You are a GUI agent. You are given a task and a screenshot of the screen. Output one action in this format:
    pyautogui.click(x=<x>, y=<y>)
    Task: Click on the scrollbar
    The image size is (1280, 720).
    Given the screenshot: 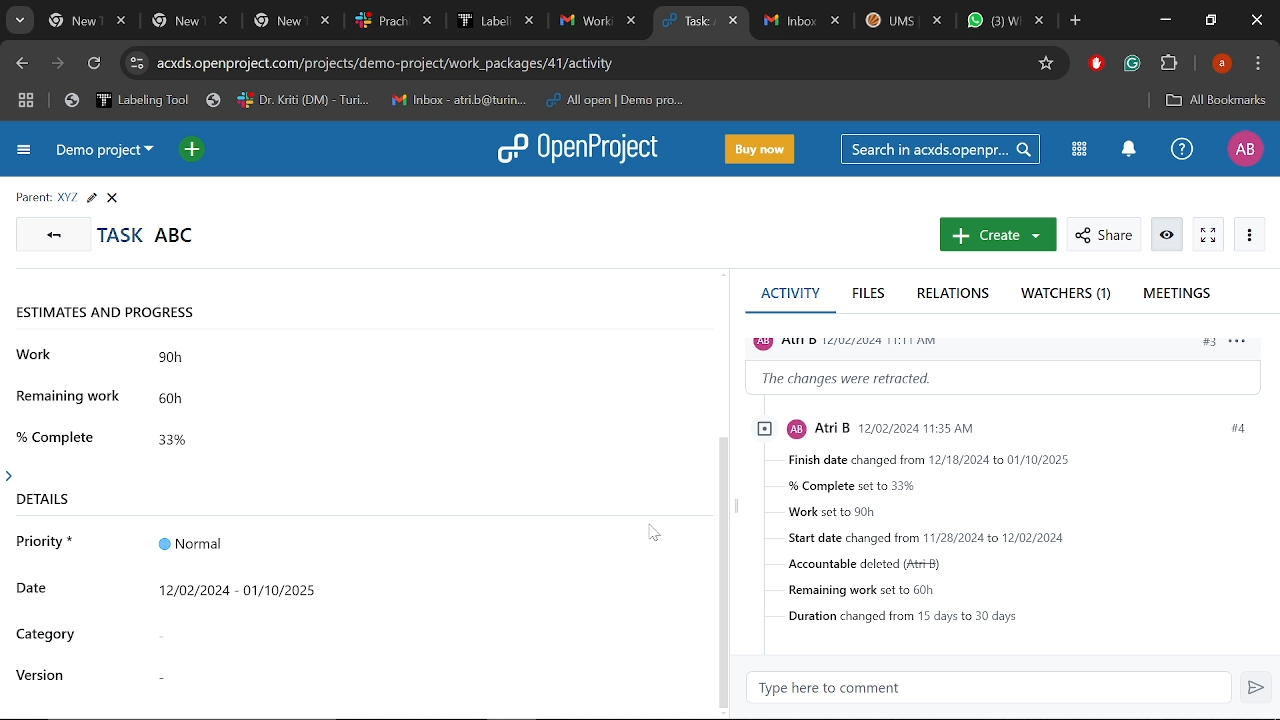 What is the action you would take?
    pyautogui.click(x=726, y=569)
    